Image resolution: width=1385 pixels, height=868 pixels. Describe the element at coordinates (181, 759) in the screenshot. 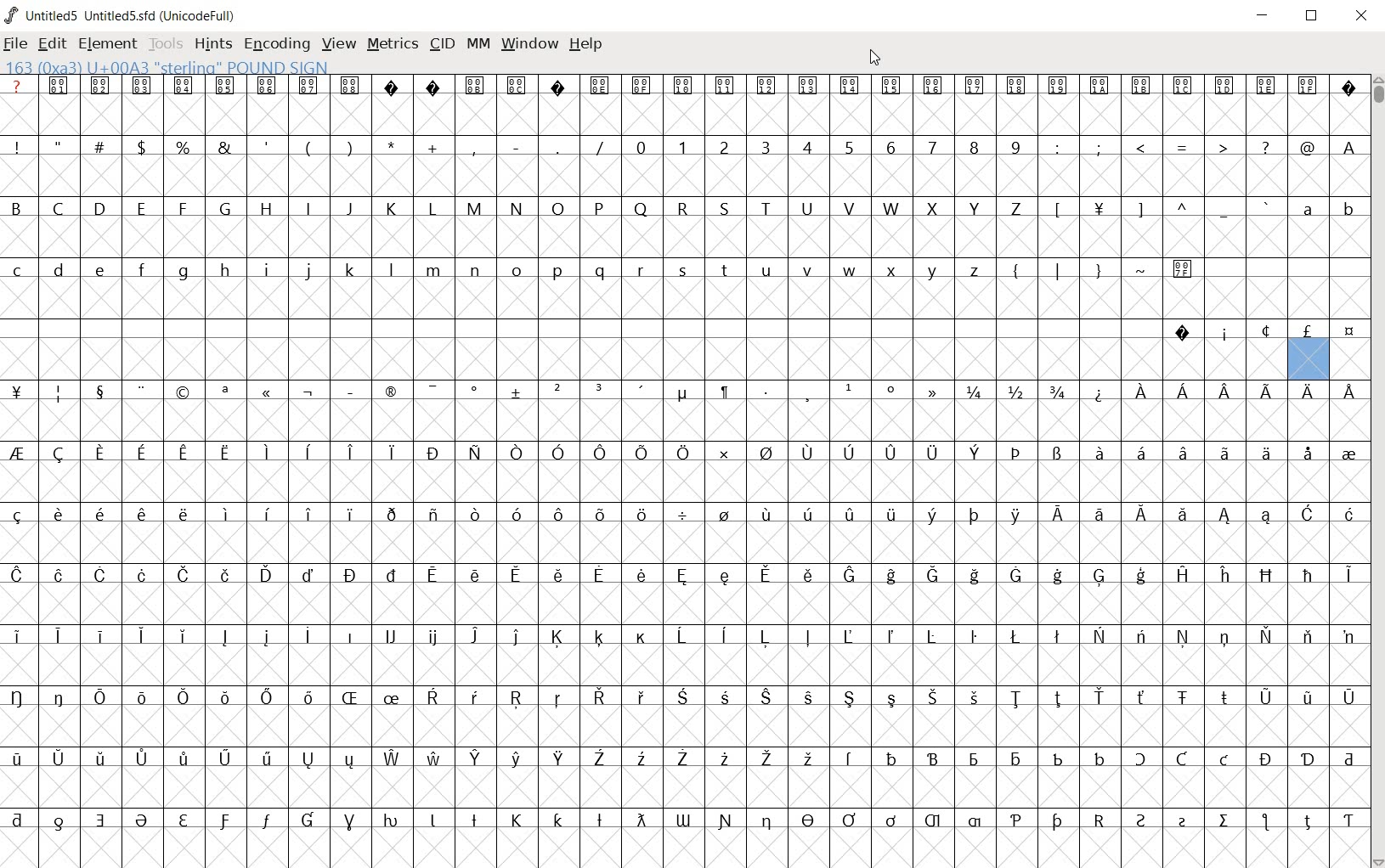

I see `Symbol` at that location.